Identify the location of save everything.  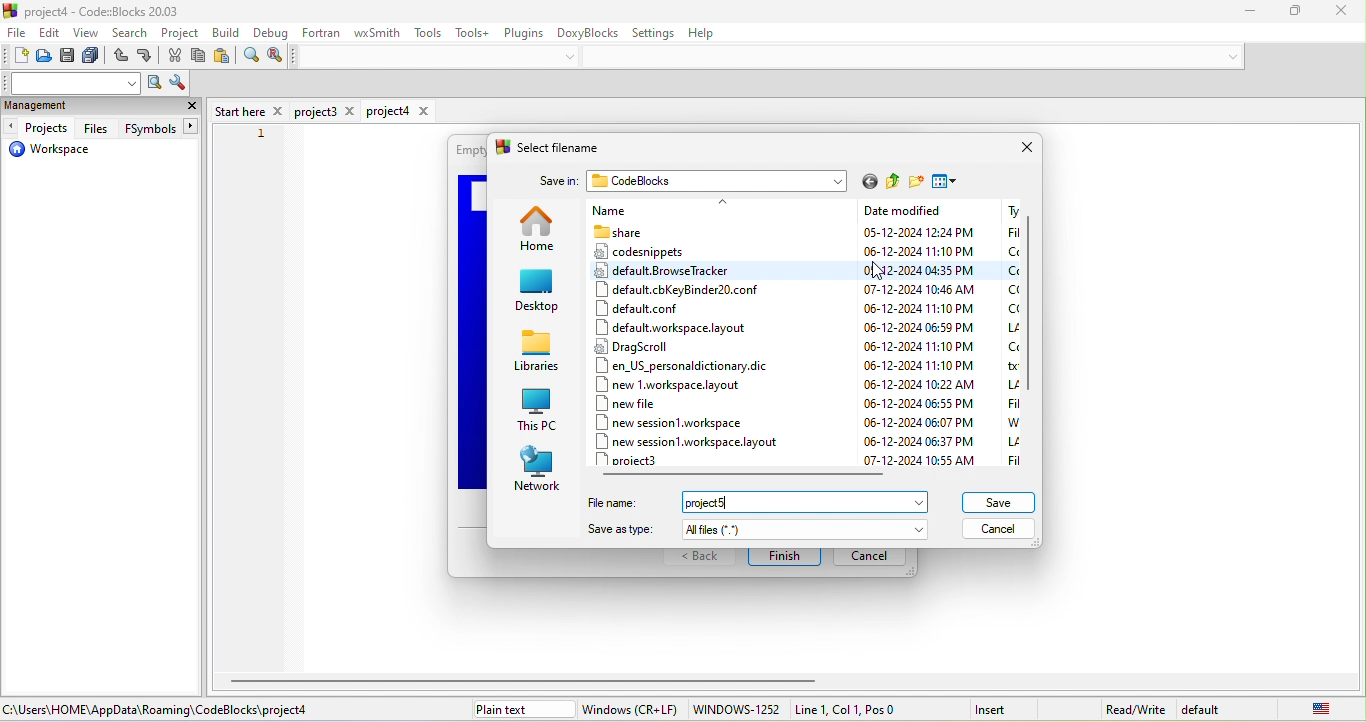
(94, 58).